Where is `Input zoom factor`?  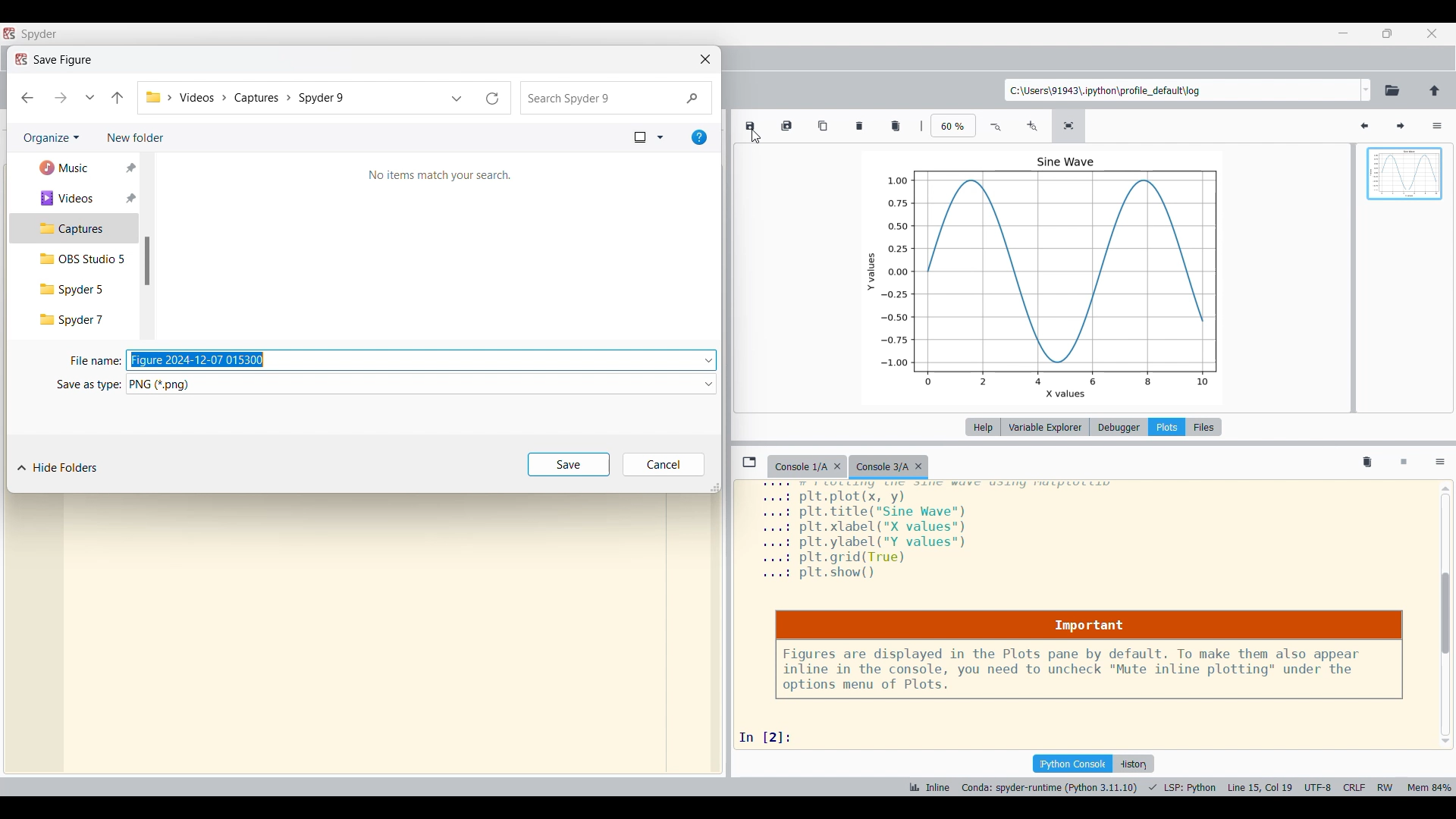 Input zoom factor is located at coordinates (954, 125).